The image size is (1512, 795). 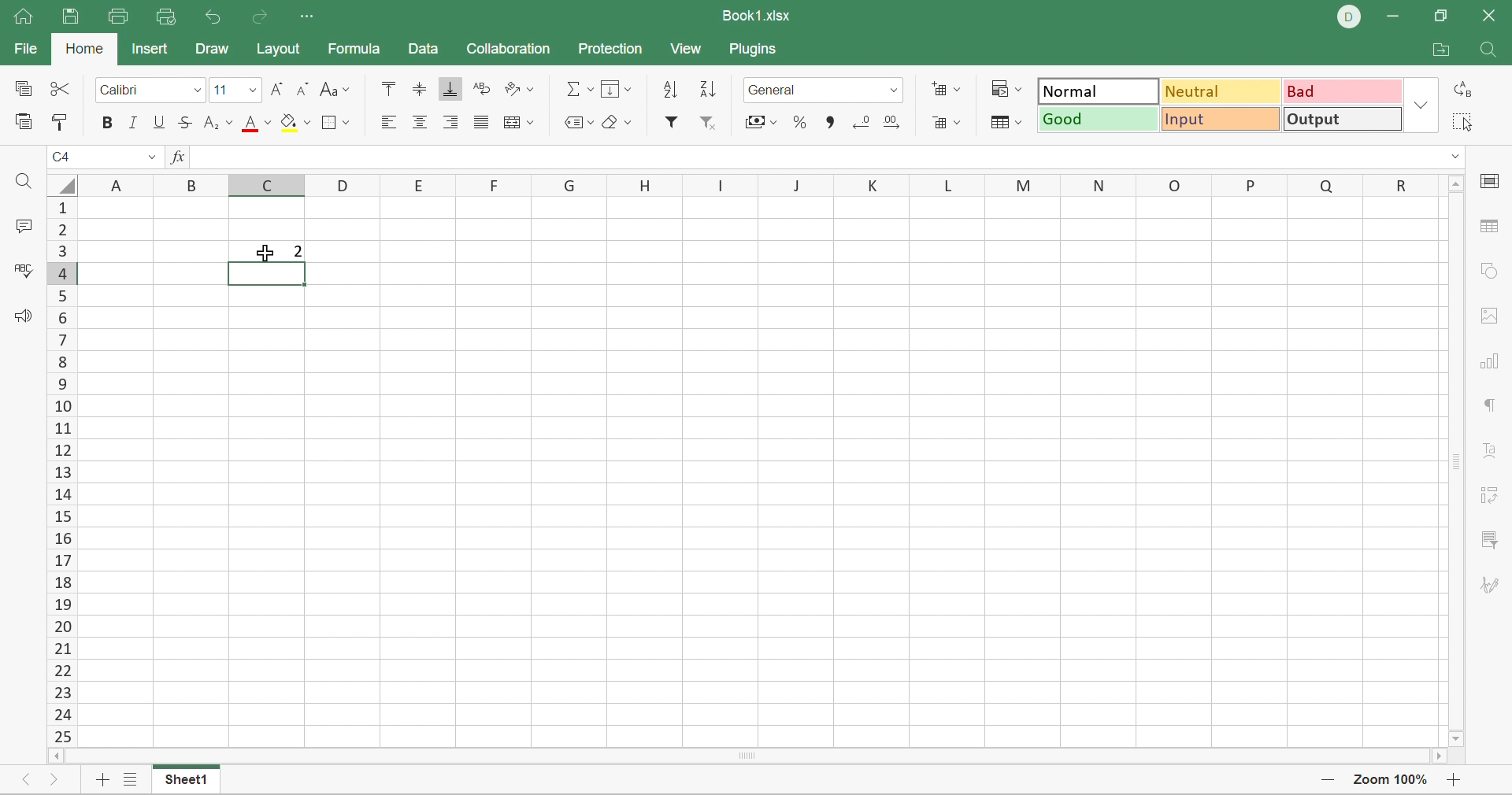 What do you see at coordinates (266, 275) in the screenshot?
I see `Selected cell` at bounding box center [266, 275].